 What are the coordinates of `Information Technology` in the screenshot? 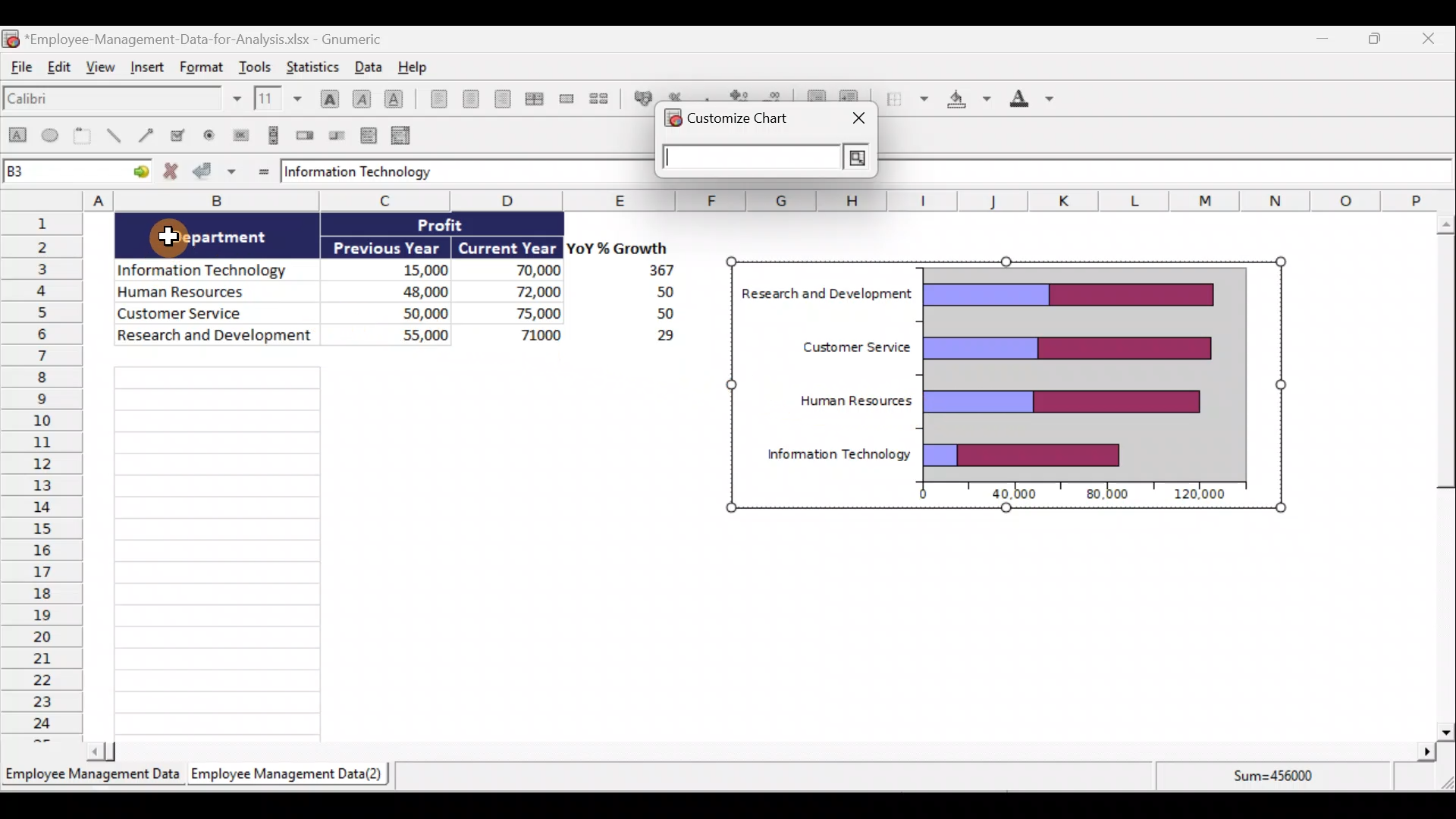 It's located at (362, 172).